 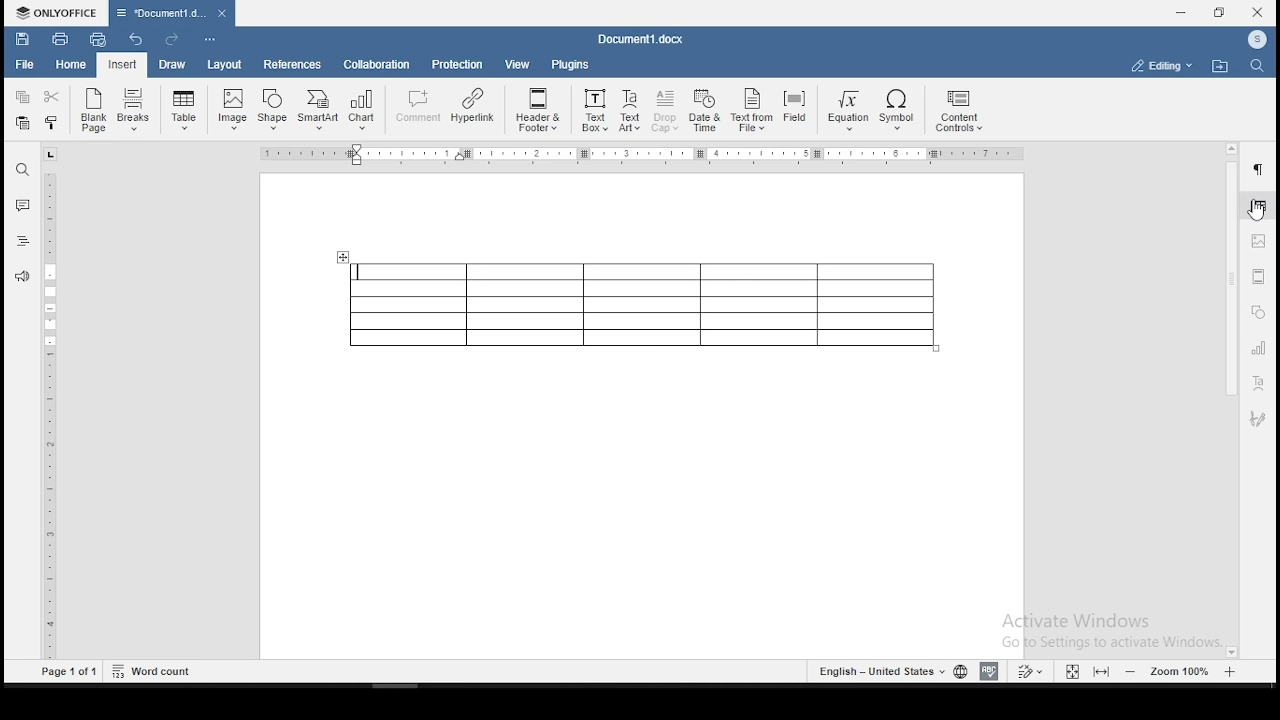 I want to click on ICON, so click(x=1256, y=41).